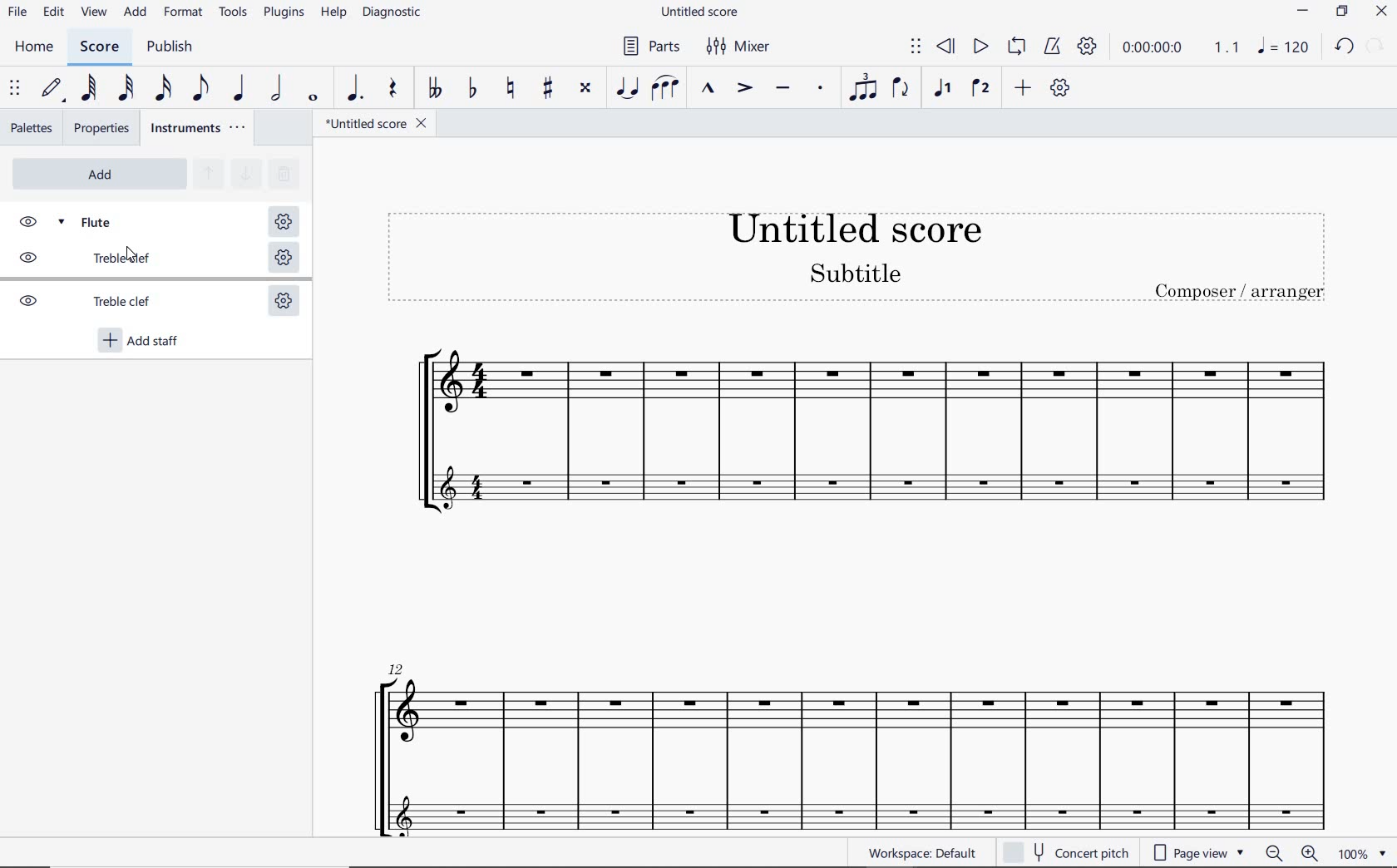 The height and width of the screenshot is (868, 1397). Describe the element at coordinates (1015, 50) in the screenshot. I see `LOOP PLAYBACK` at that location.